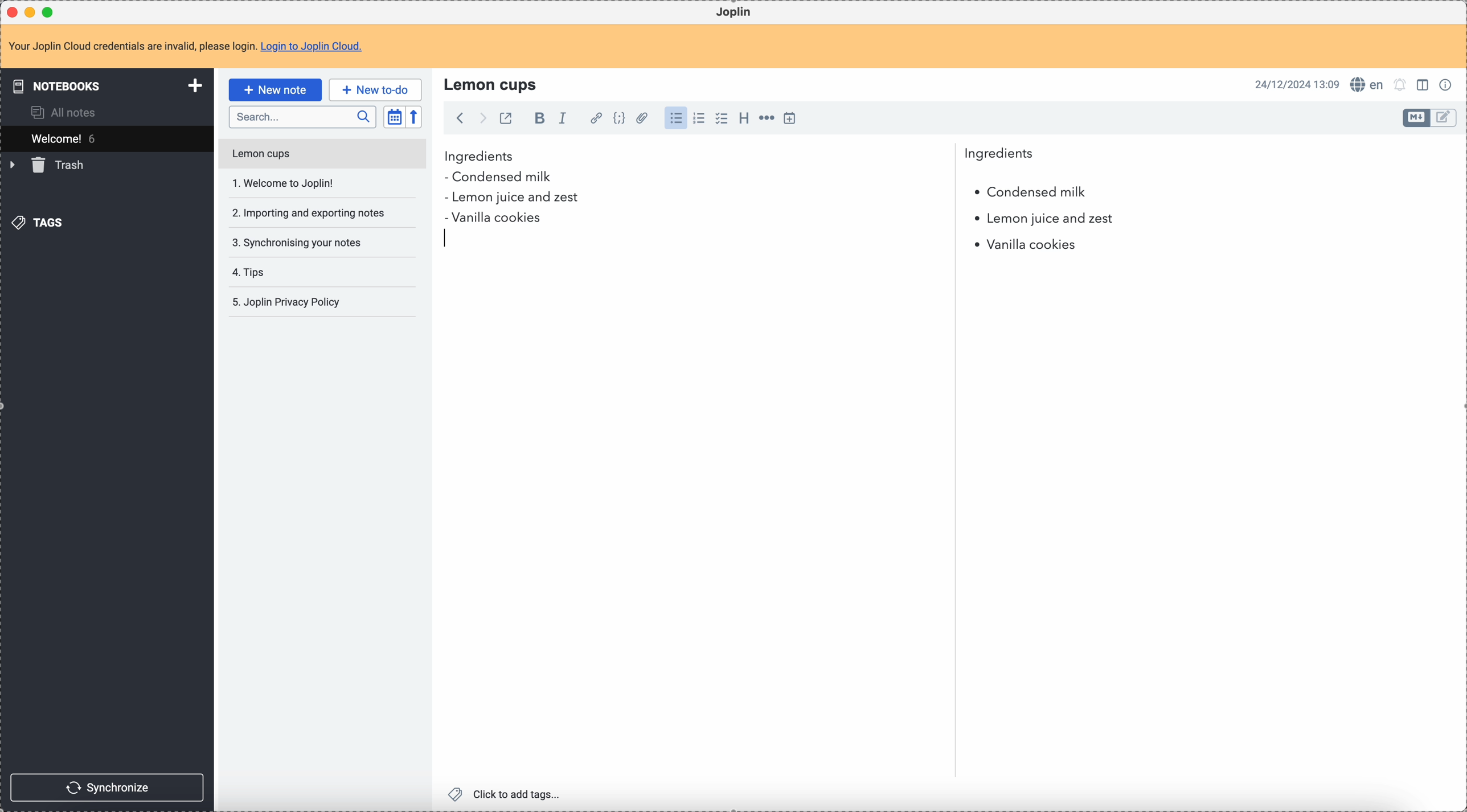 The height and width of the screenshot is (812, 1467). I want to click on lemon cups, so click(321, 156).